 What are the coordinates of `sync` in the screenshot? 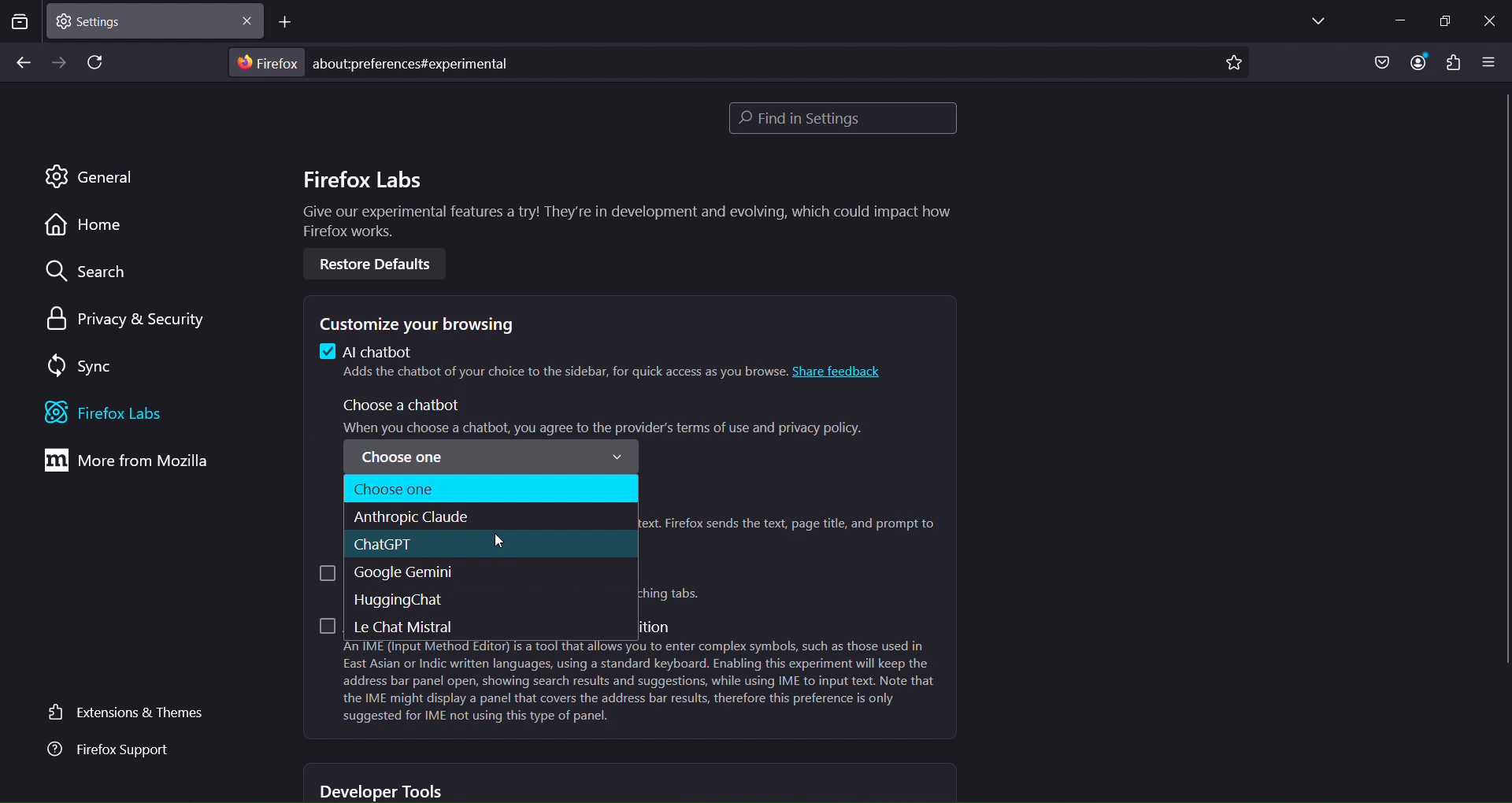 It's located at (79, 364).